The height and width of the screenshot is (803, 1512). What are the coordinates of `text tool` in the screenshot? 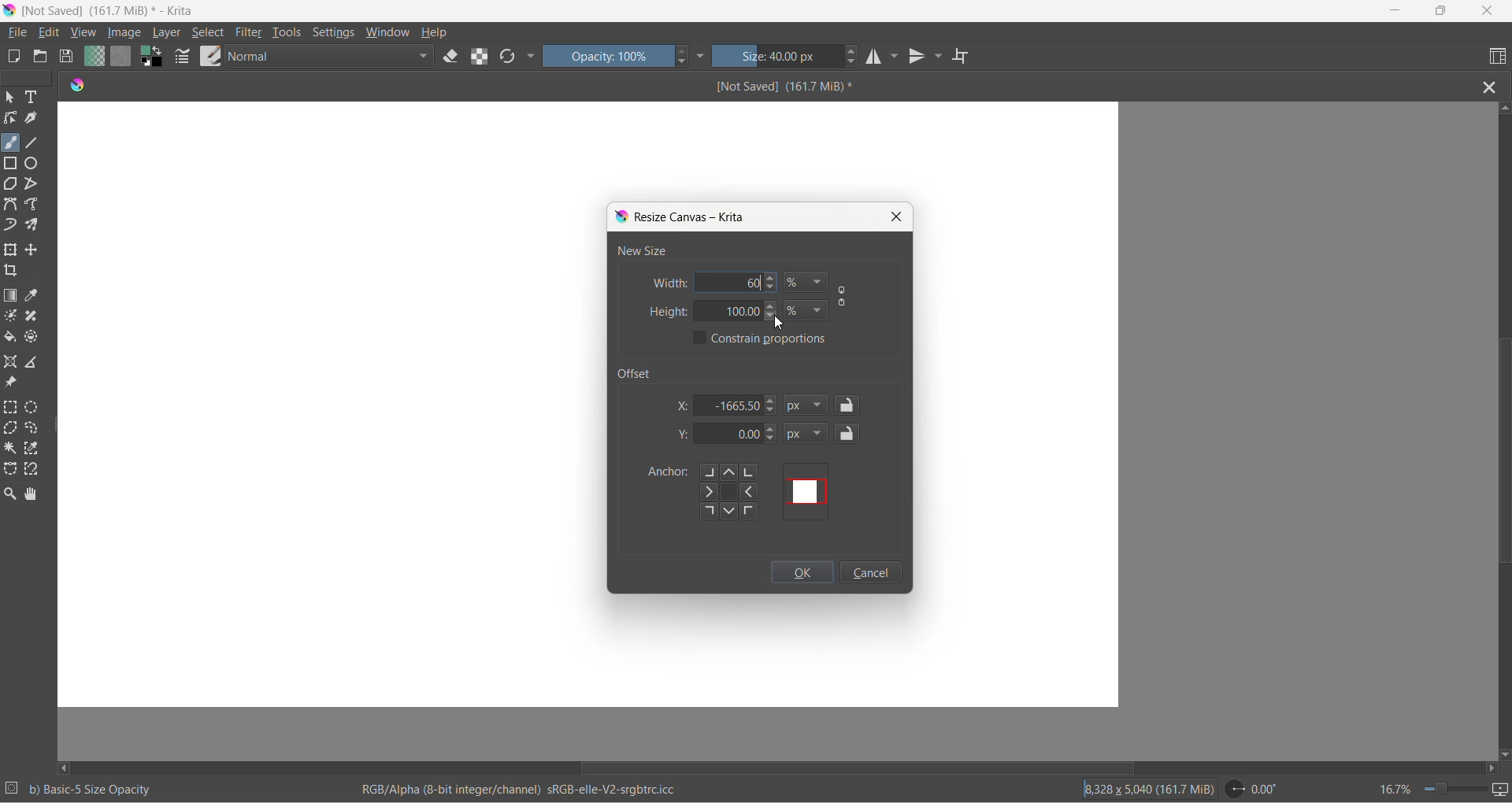 It's located at (34, 98).